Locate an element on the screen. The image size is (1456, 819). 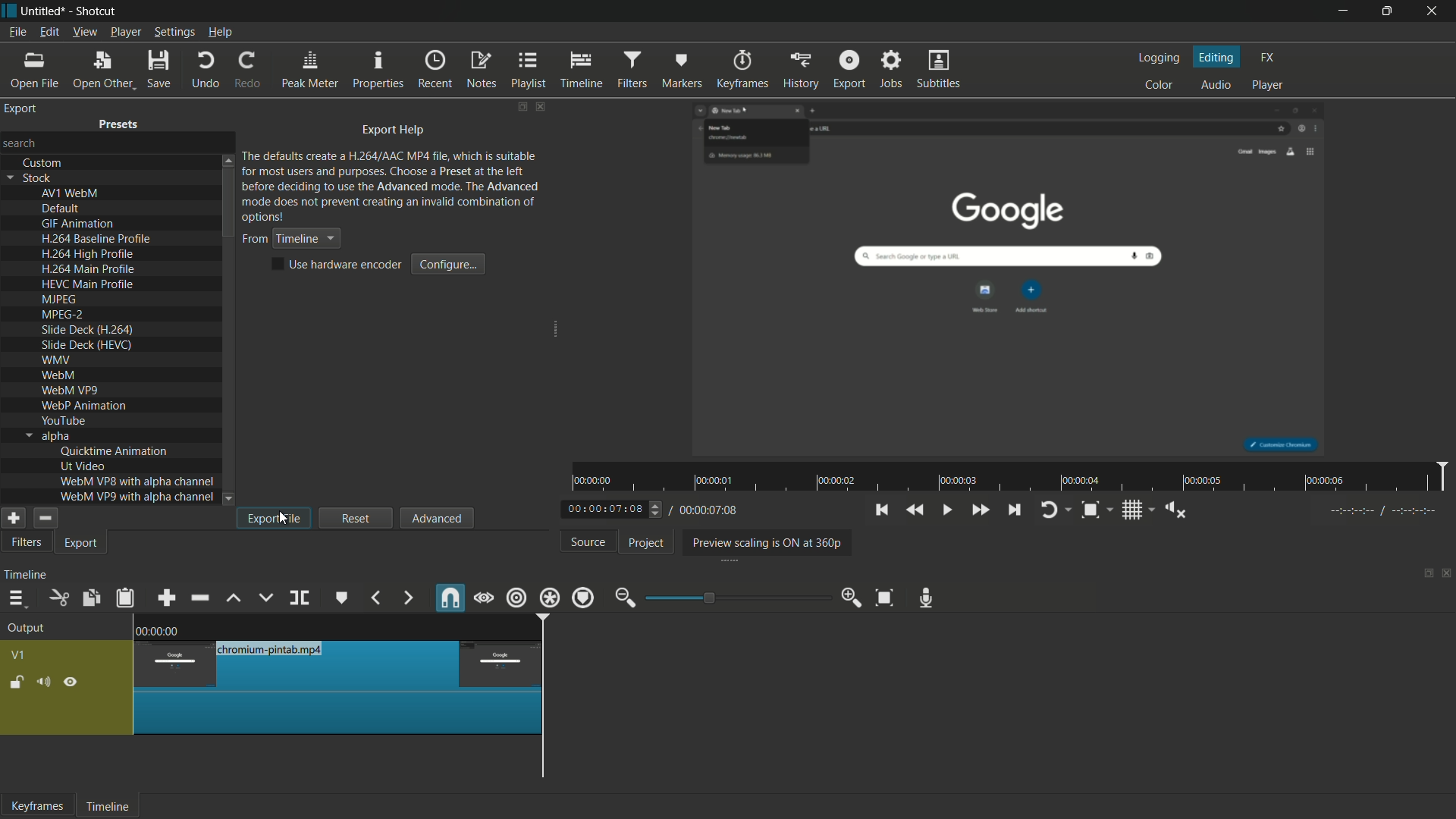
close export is located at coordinates (543, 105).